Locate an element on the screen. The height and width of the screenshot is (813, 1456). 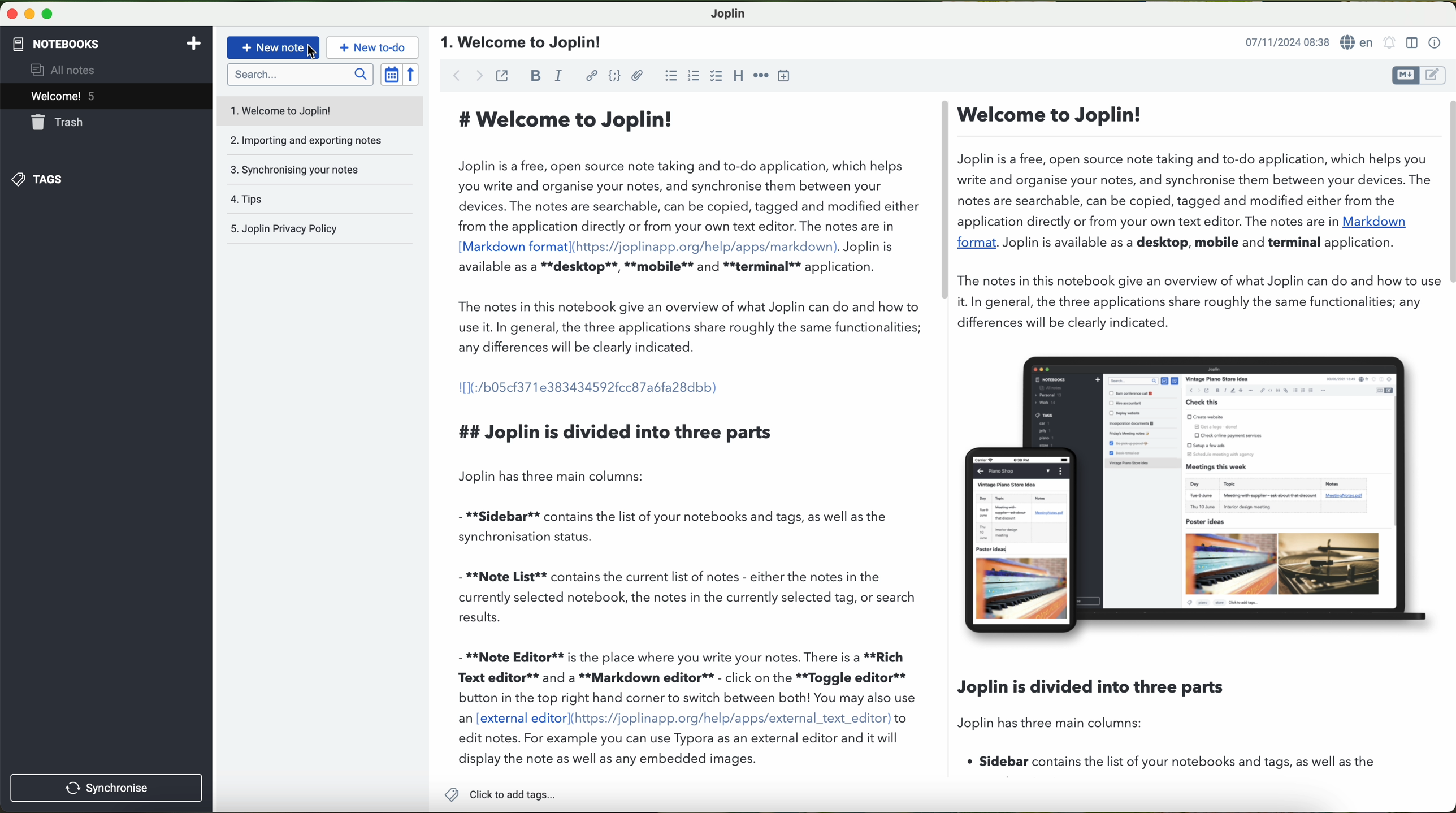
heading is located at coordinates (737, 75).